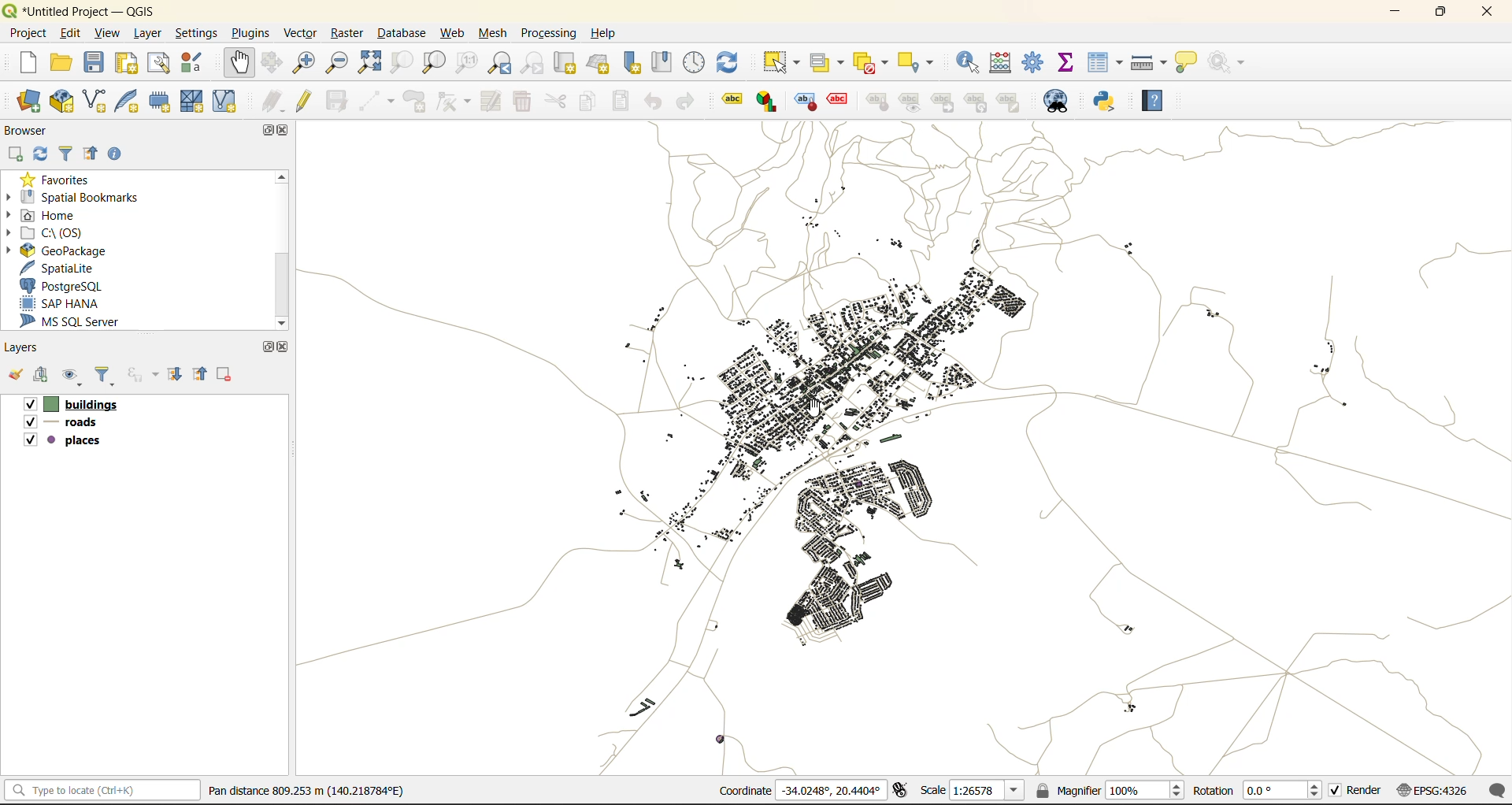  I want to click on expand all, so click(179, 375).